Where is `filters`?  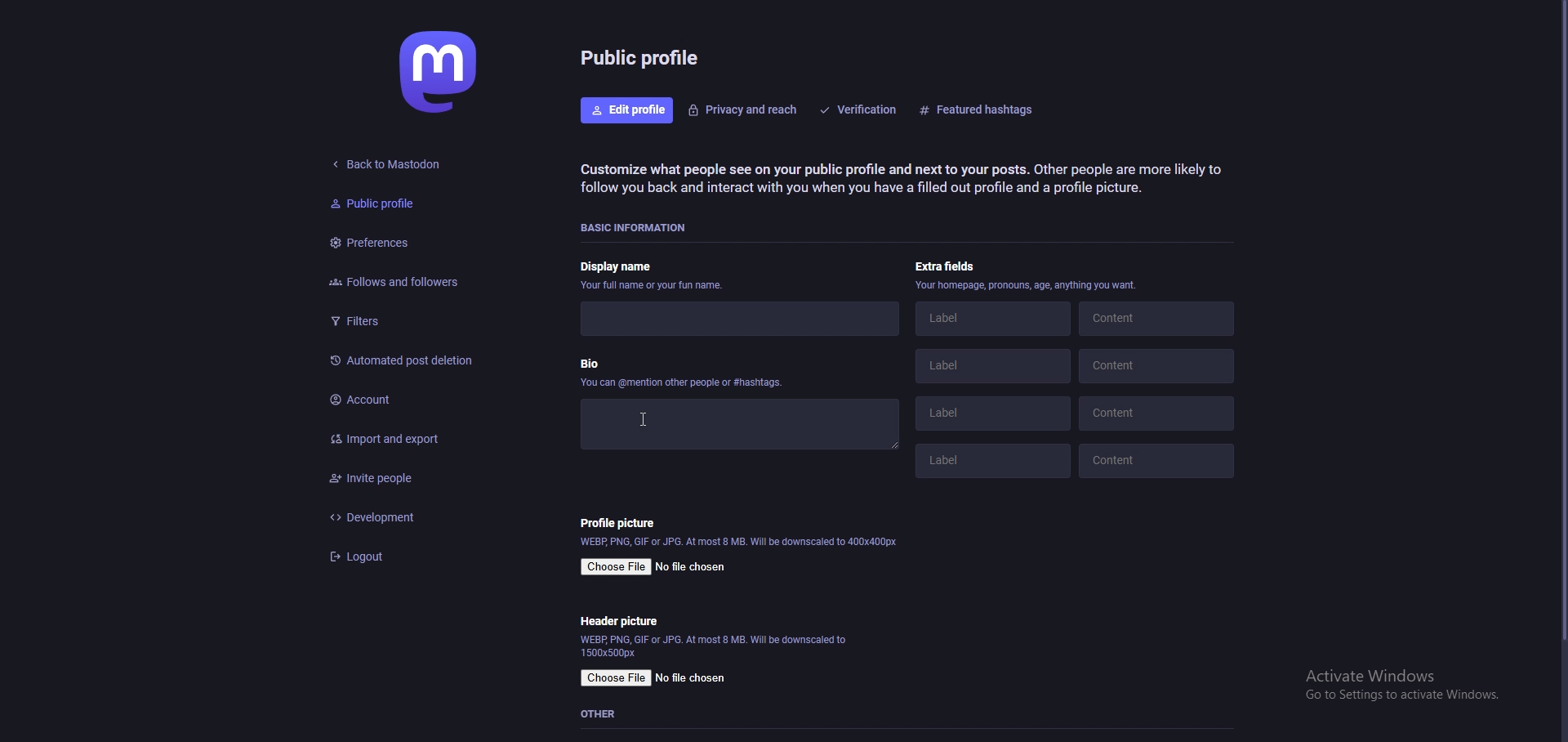 filters is located at coordinates (404, 318).